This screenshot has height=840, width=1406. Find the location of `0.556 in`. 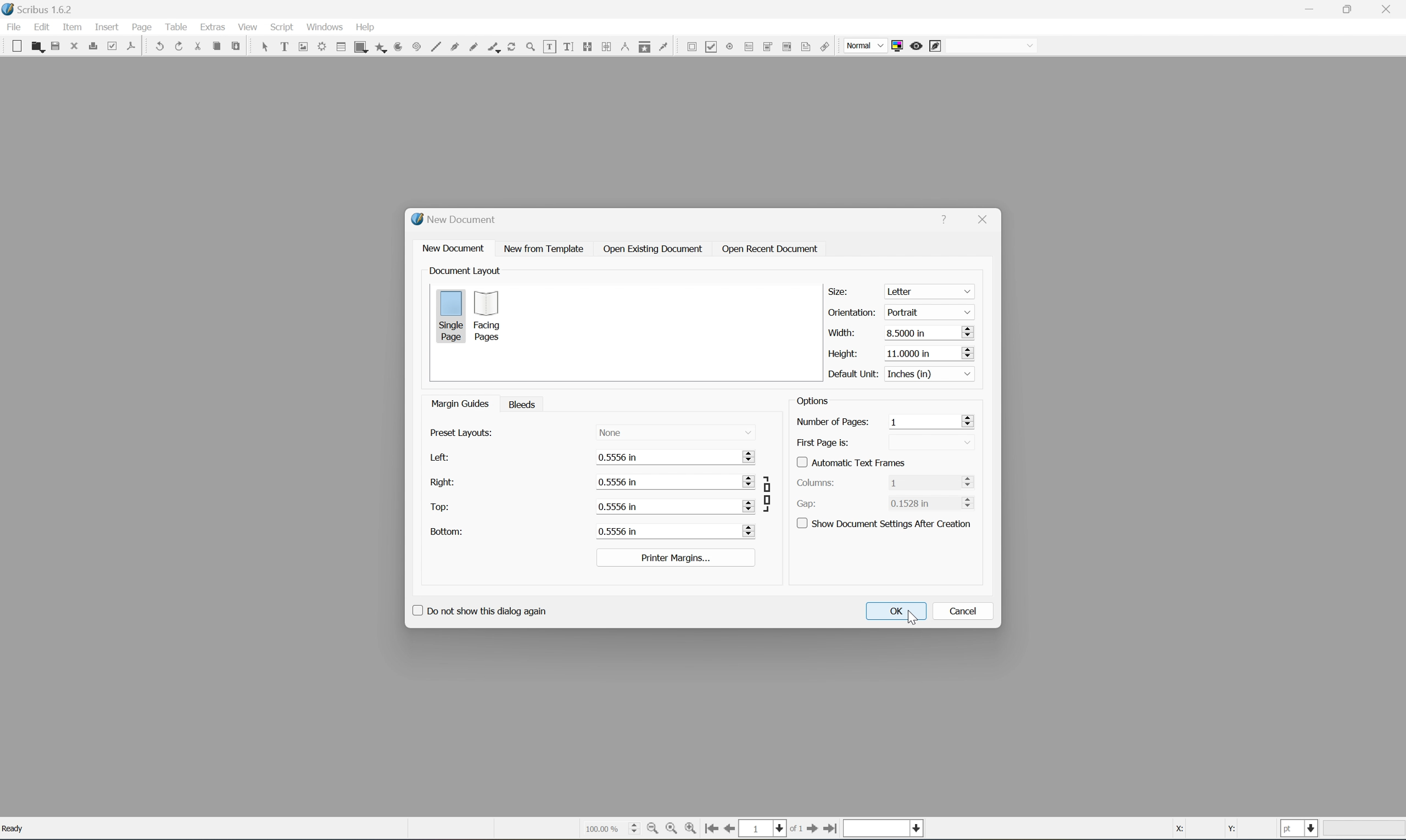

0.556 in is located at coordinates (674, 456).